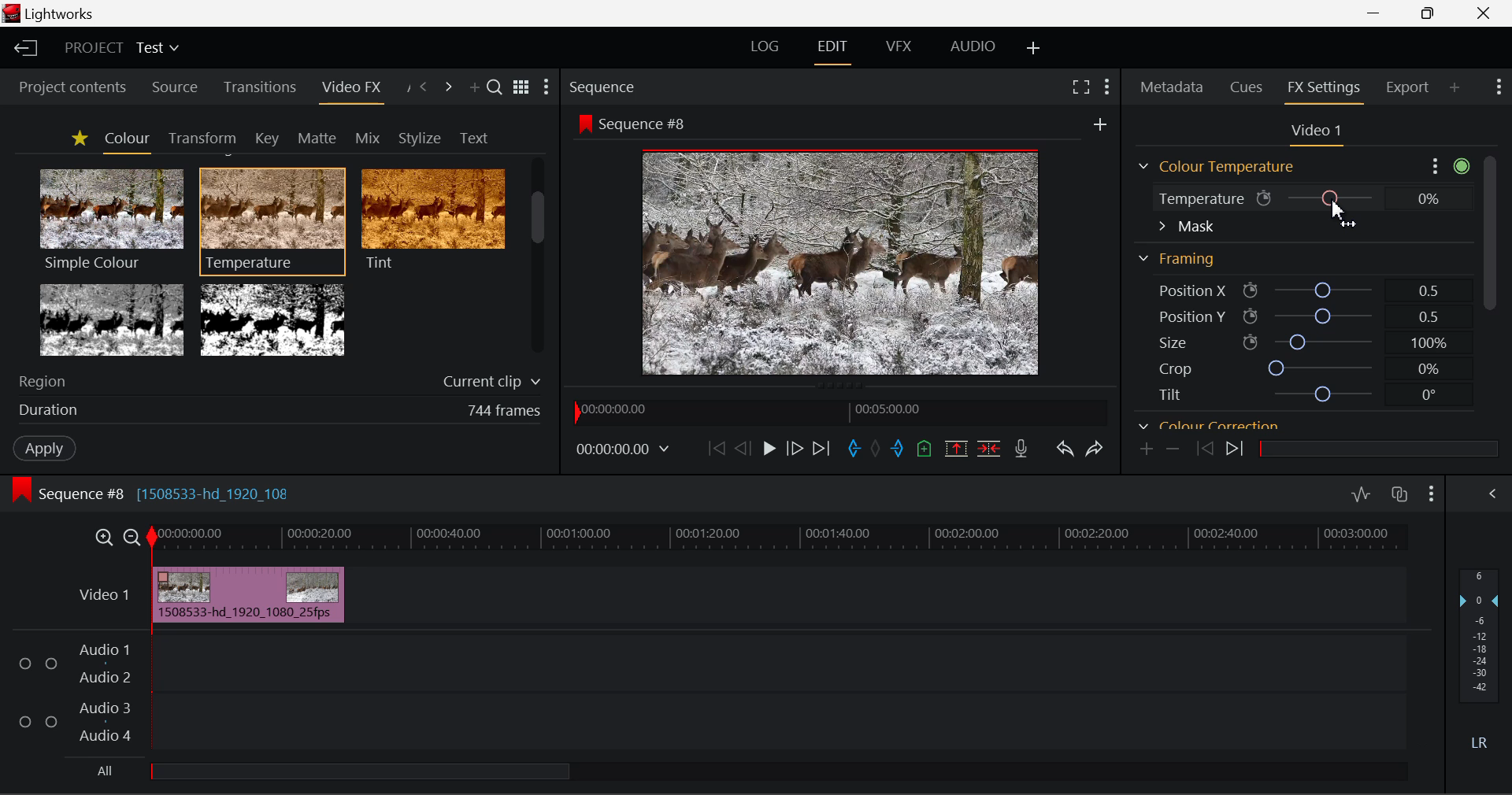 Image resolution: width=1512 pixels, height=795 pixels. I want to click on Lightworks, so click(63, 14).